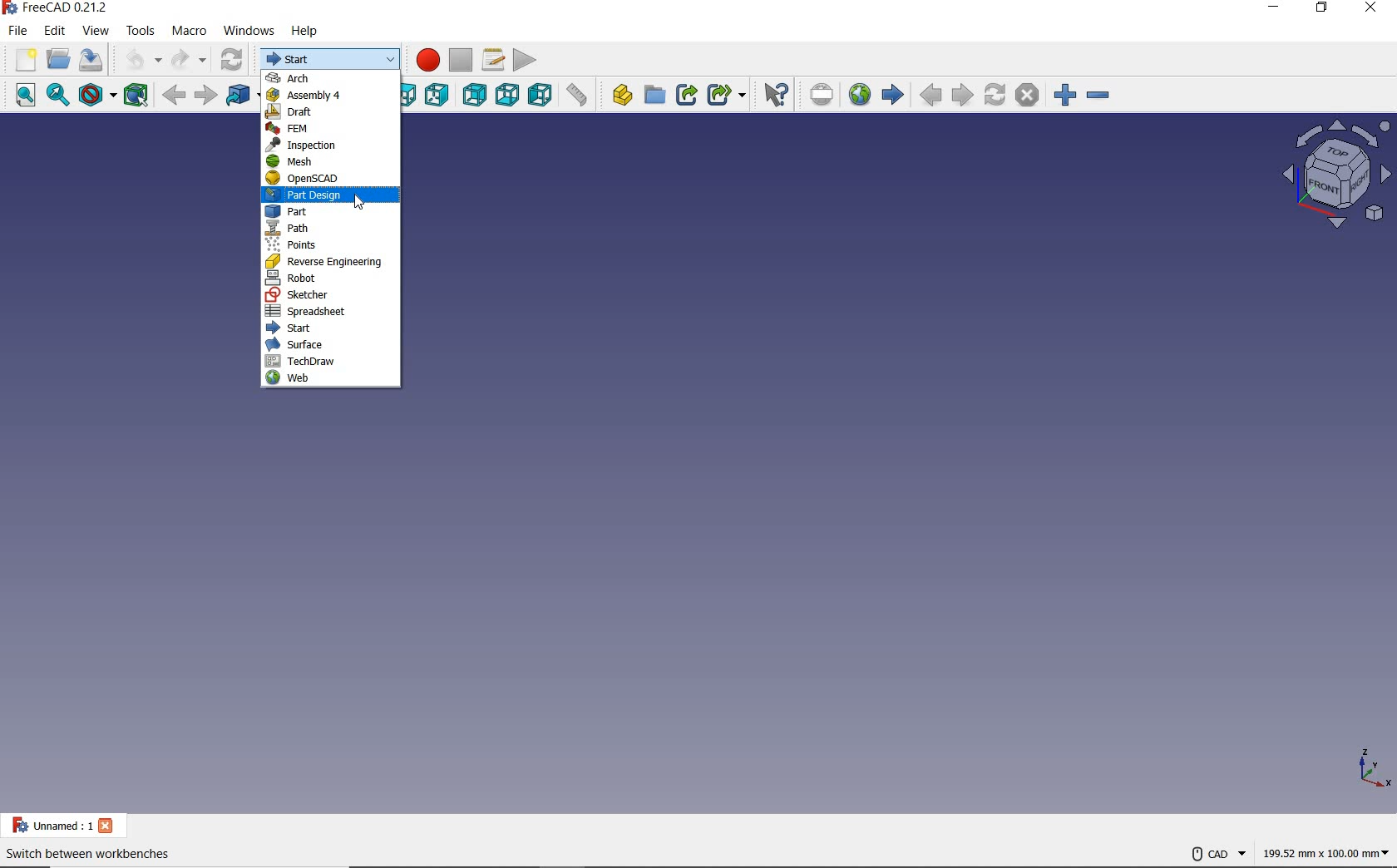 The image size is (1397, 868). What do you see at coordinates (59, 59) in the screenshot?
I see `OPEN` at bounding box center [59, 59].